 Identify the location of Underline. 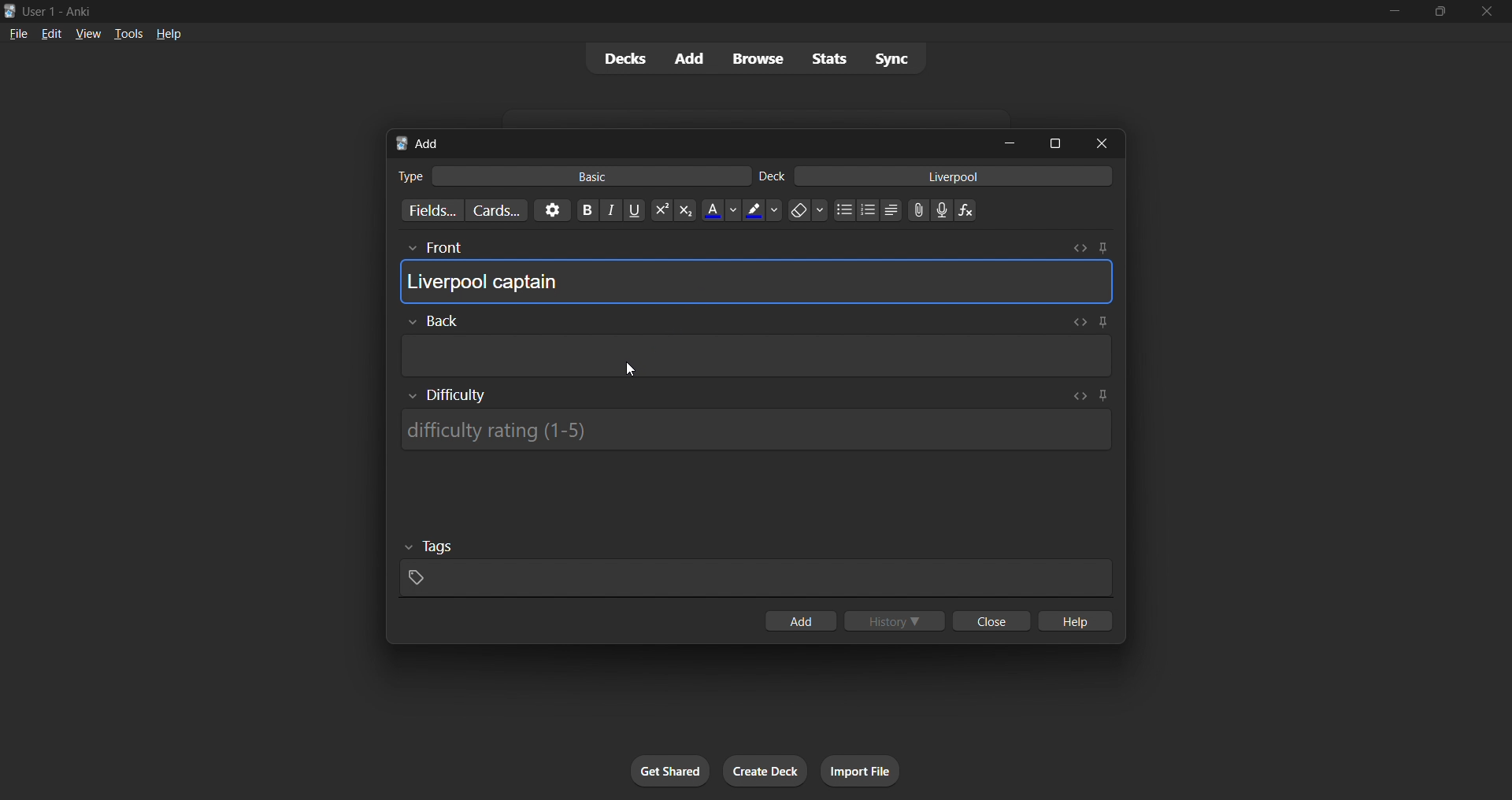
(634, 210).